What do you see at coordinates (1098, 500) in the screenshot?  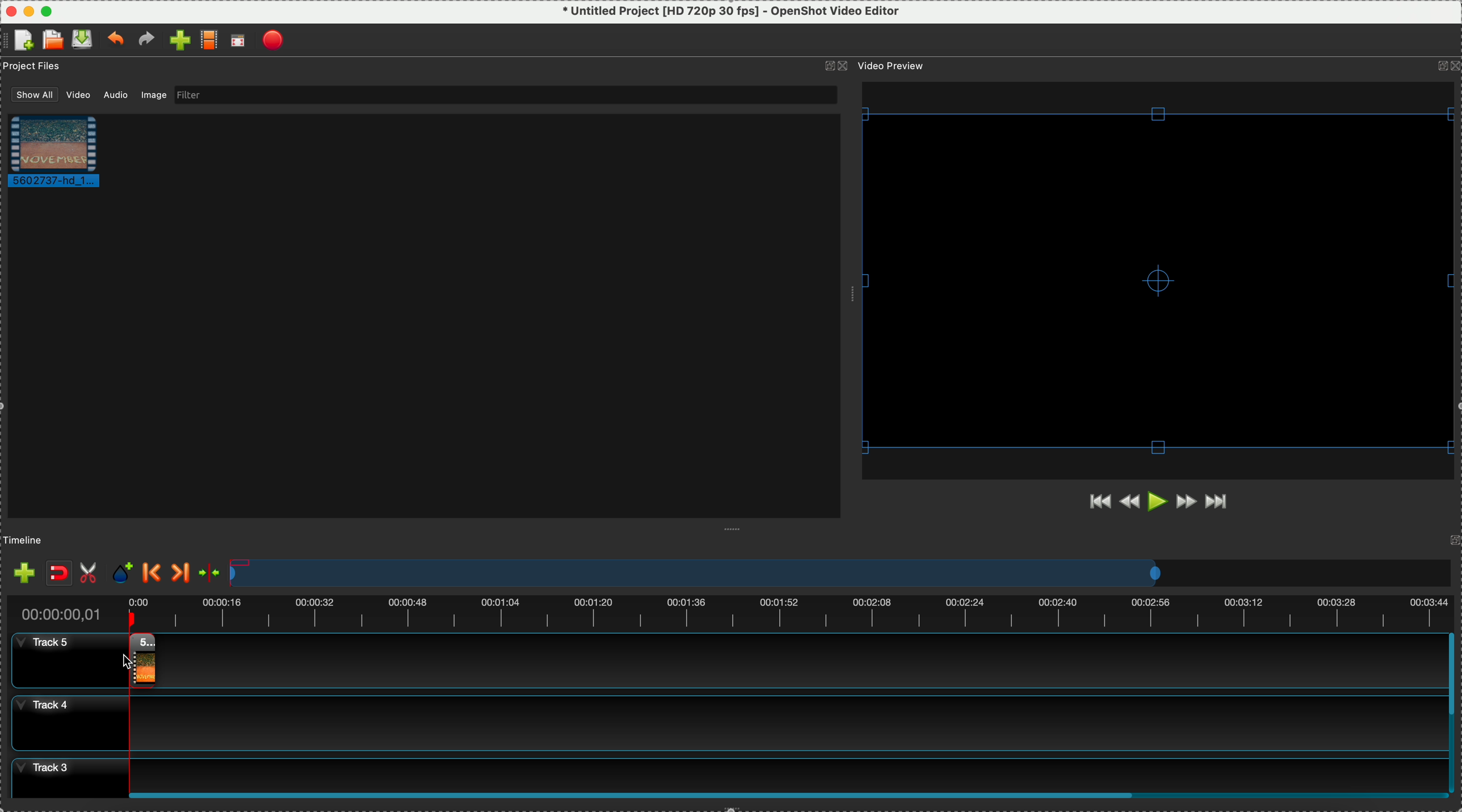 I see `jump to start` at bounding box center [1098, 500].